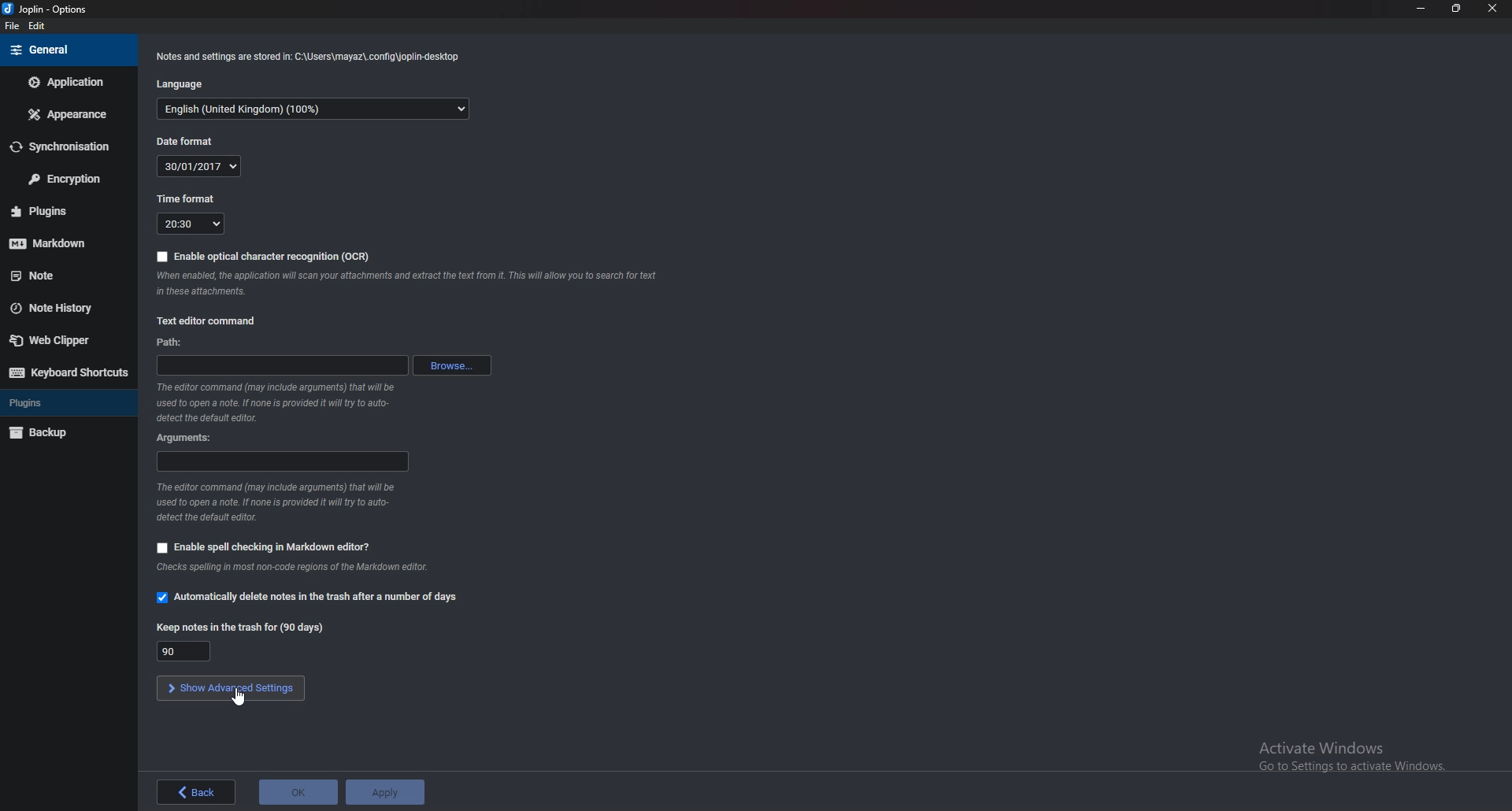 This screenshot has height=811, width=1512. I want to click on automatically delete notes, so click(316, 597).